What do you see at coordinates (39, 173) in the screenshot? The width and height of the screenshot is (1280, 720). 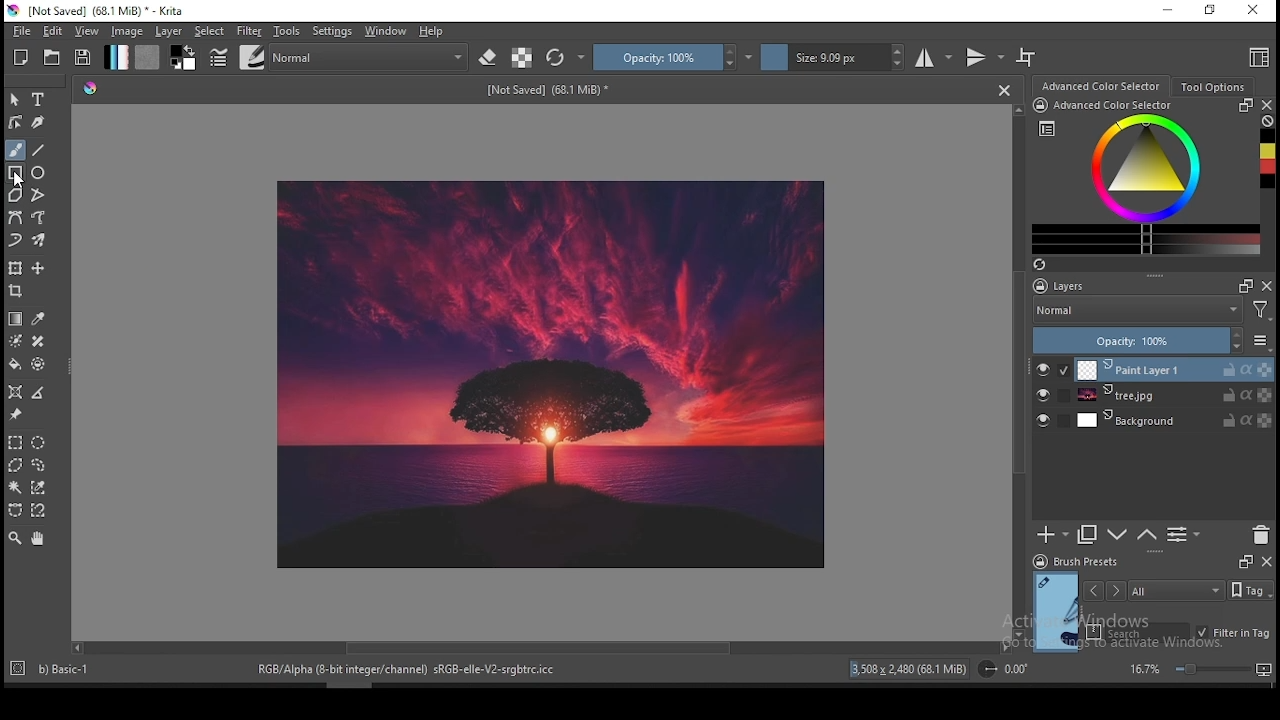 I see `ellipse tool` at bounding box center [39, 173].